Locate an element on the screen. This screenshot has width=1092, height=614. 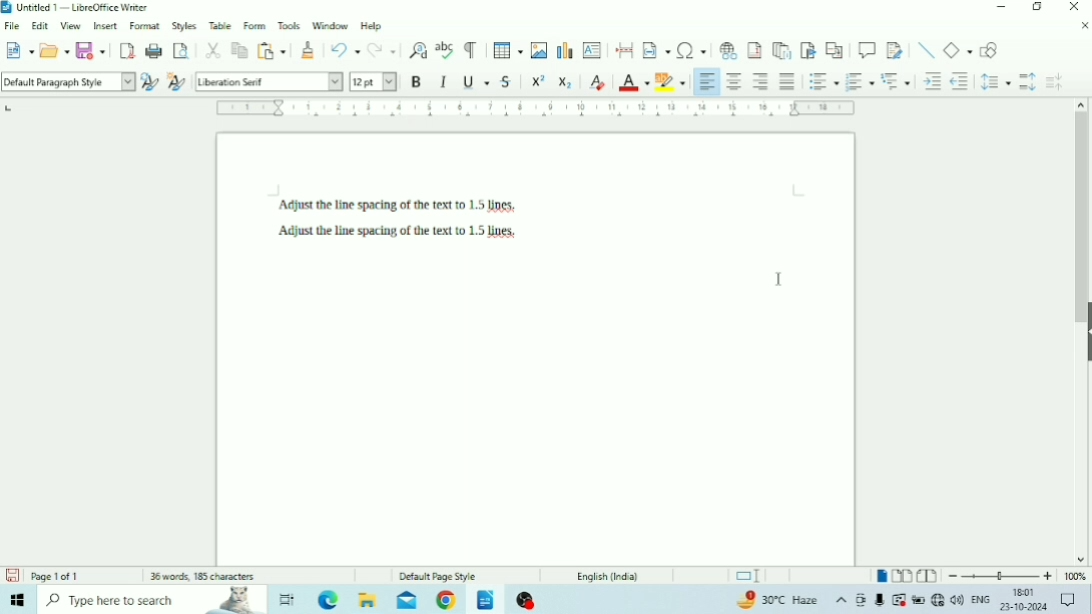
Decrease Indent is located at coordinates (960, 81).